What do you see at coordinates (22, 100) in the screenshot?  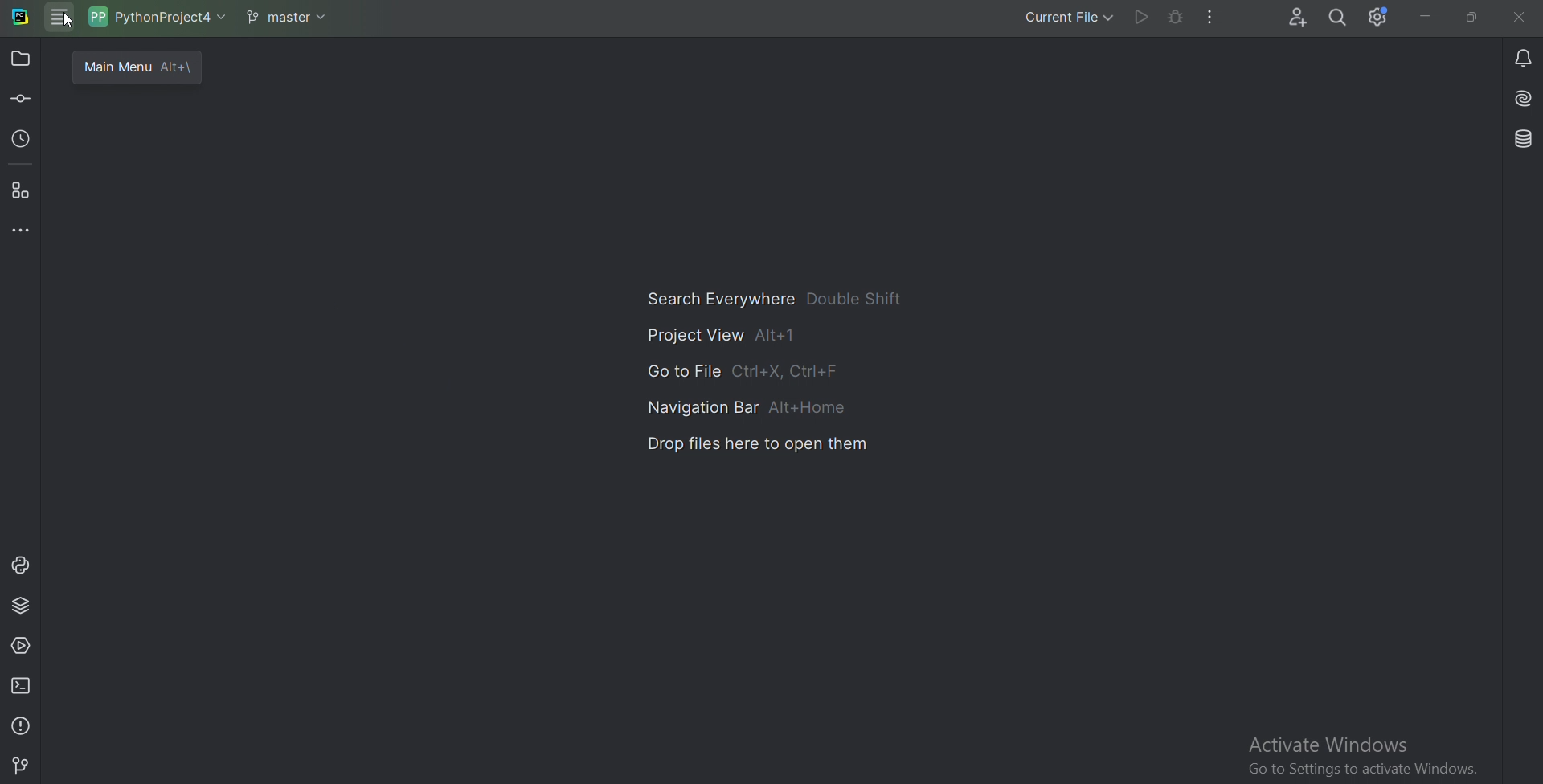 I see `Commit` at bounding box center [22, 100].